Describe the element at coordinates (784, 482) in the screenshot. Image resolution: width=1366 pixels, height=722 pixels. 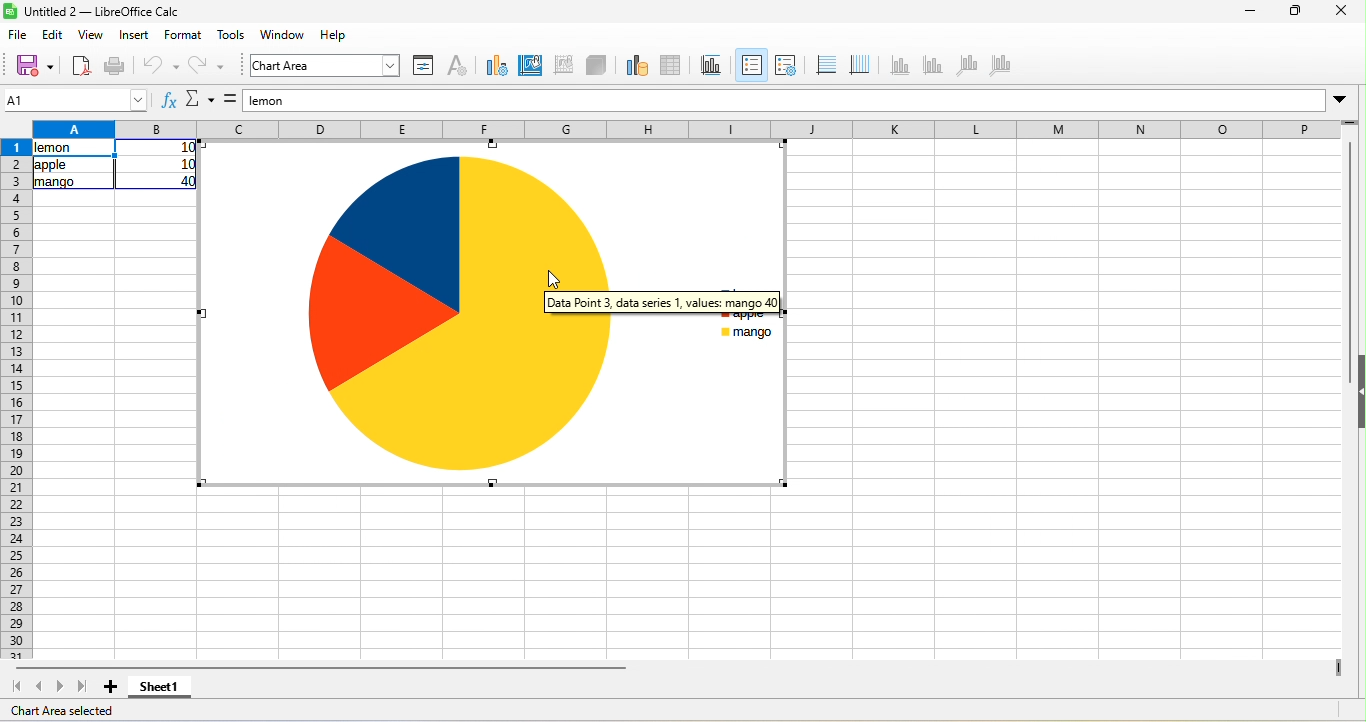
I see `resize points` at that location.